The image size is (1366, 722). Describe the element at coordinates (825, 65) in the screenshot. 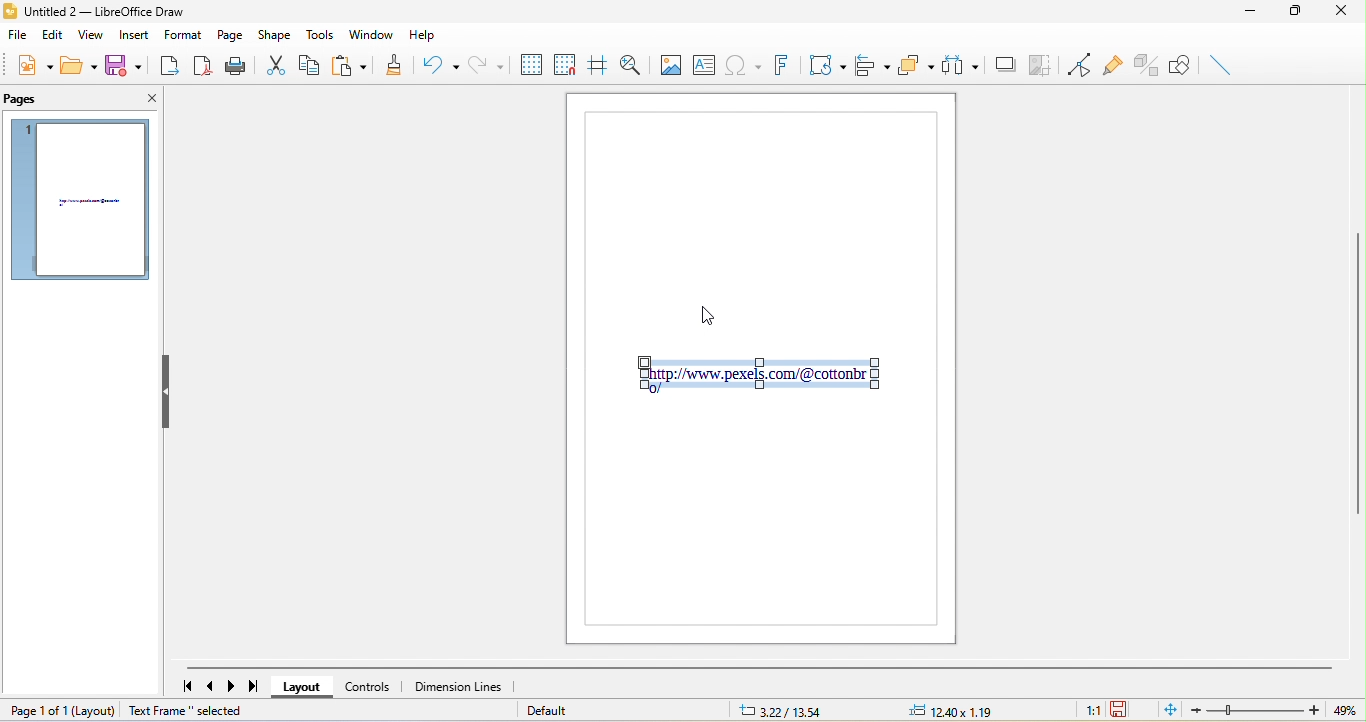

I see `transformation` at that location.